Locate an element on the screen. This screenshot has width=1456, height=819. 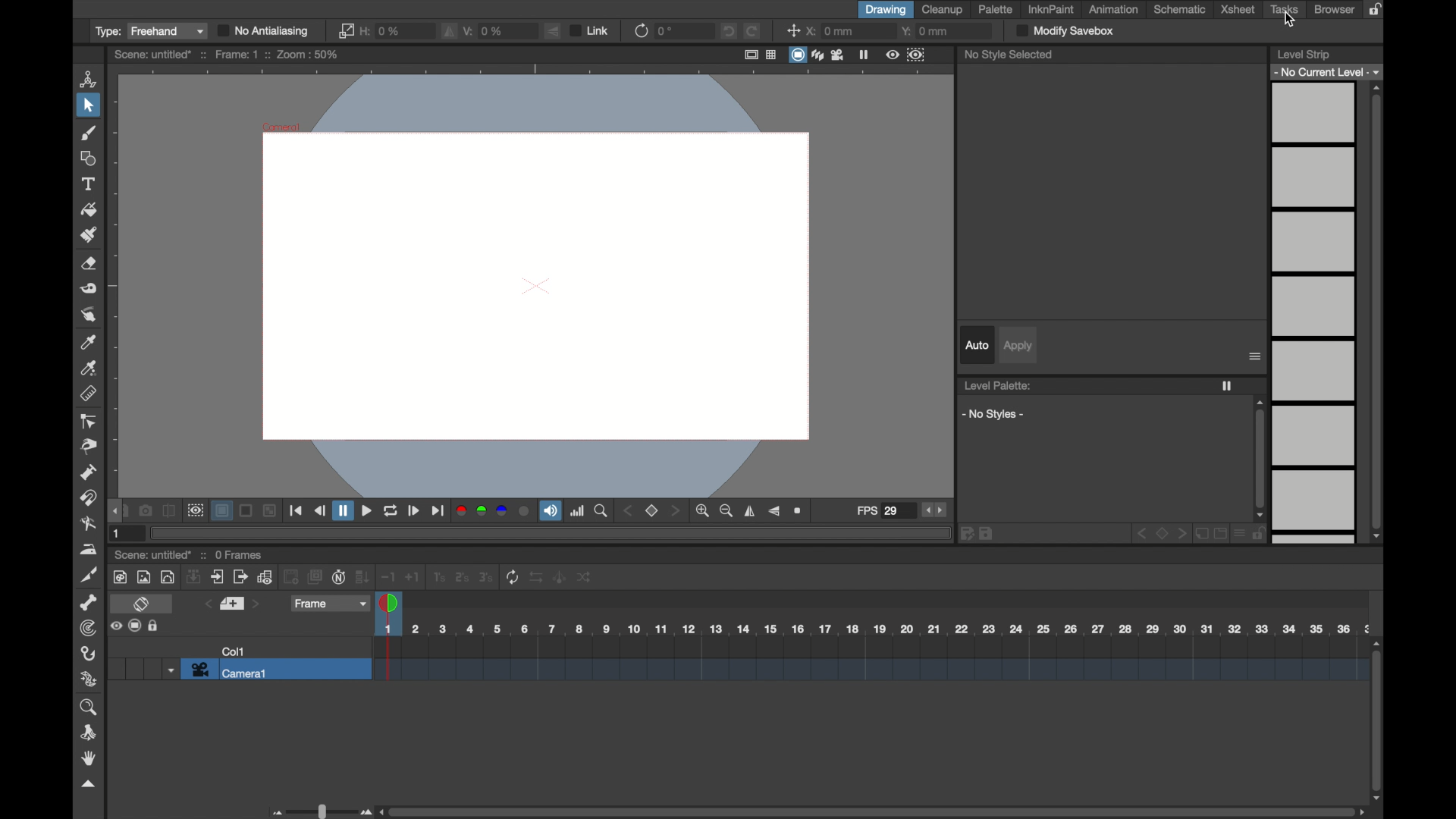
0 is located at coordinates (666, 30).